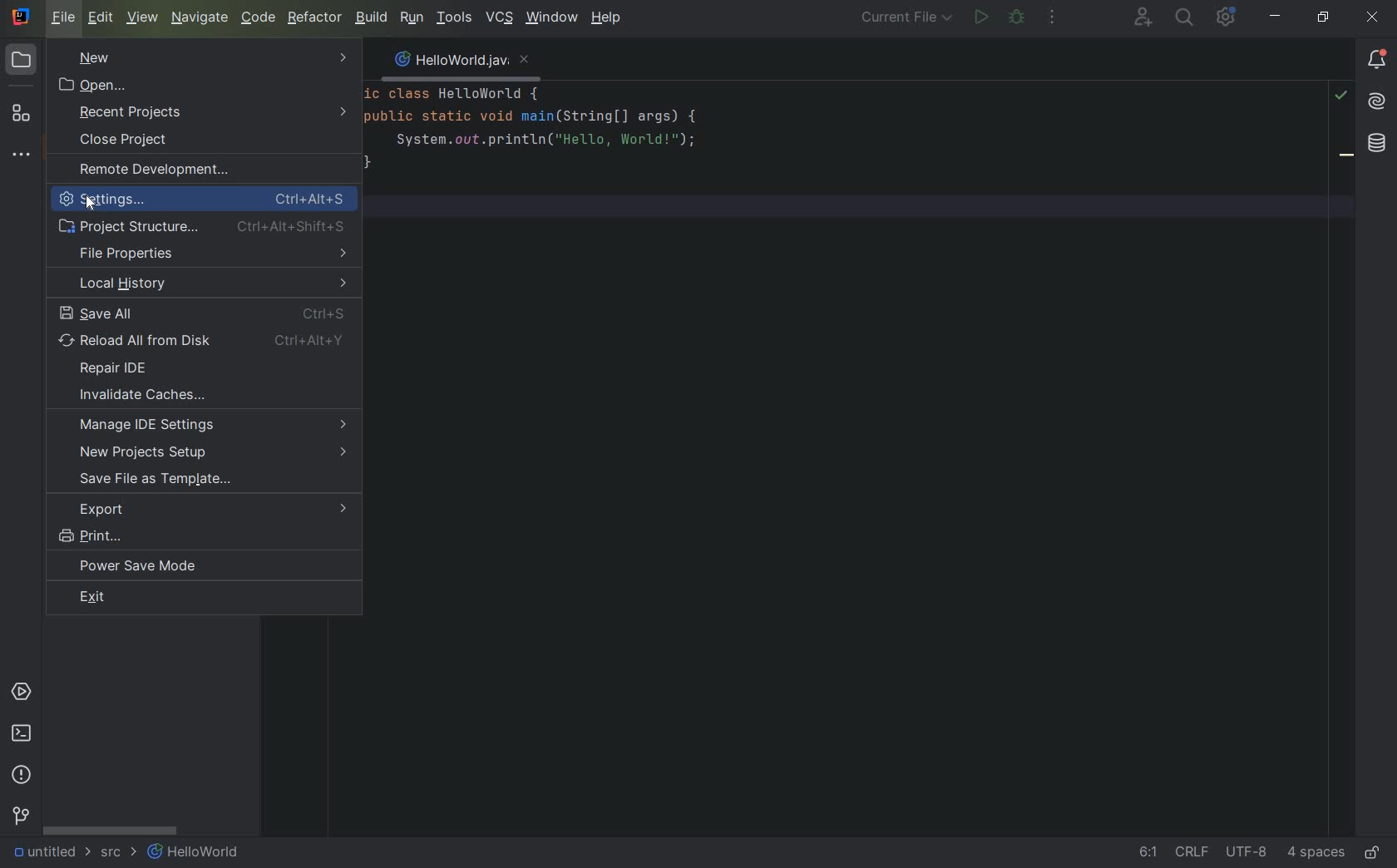  What do you see at coordinates (21, 692) in the screenshot?
I see `SERVICES` at bounding box center [21, 692].